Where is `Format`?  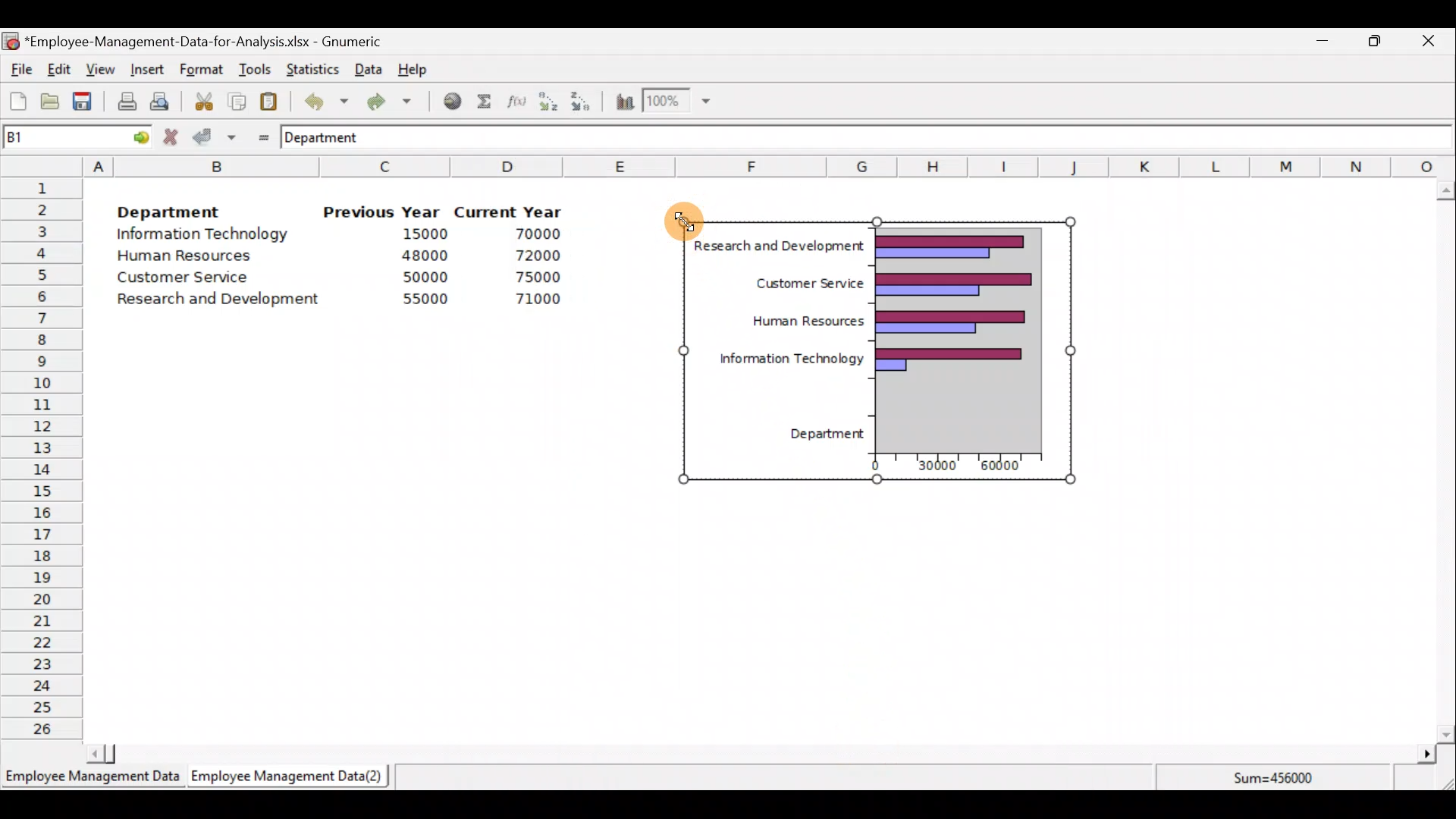 Format is located at coordinates (201, 71).